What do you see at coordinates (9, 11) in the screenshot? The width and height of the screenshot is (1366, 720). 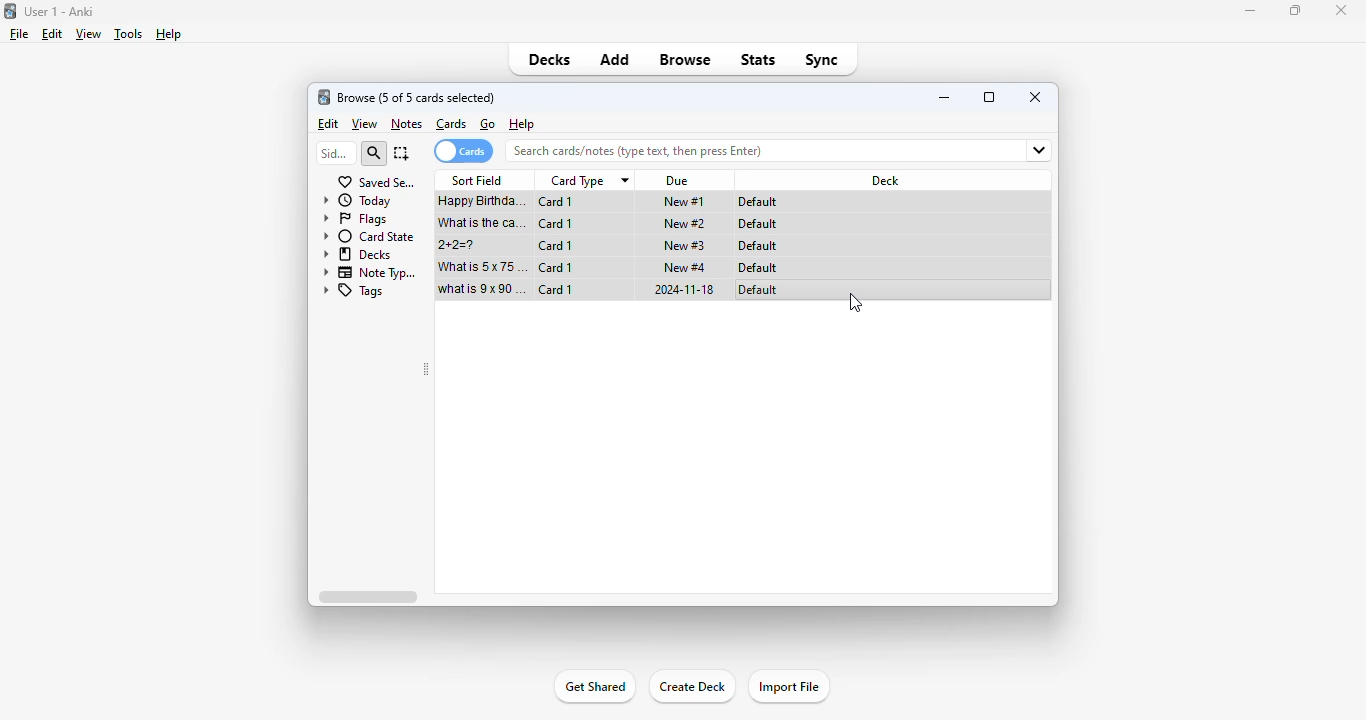 I see `logo` at bounding box center [9, 11].